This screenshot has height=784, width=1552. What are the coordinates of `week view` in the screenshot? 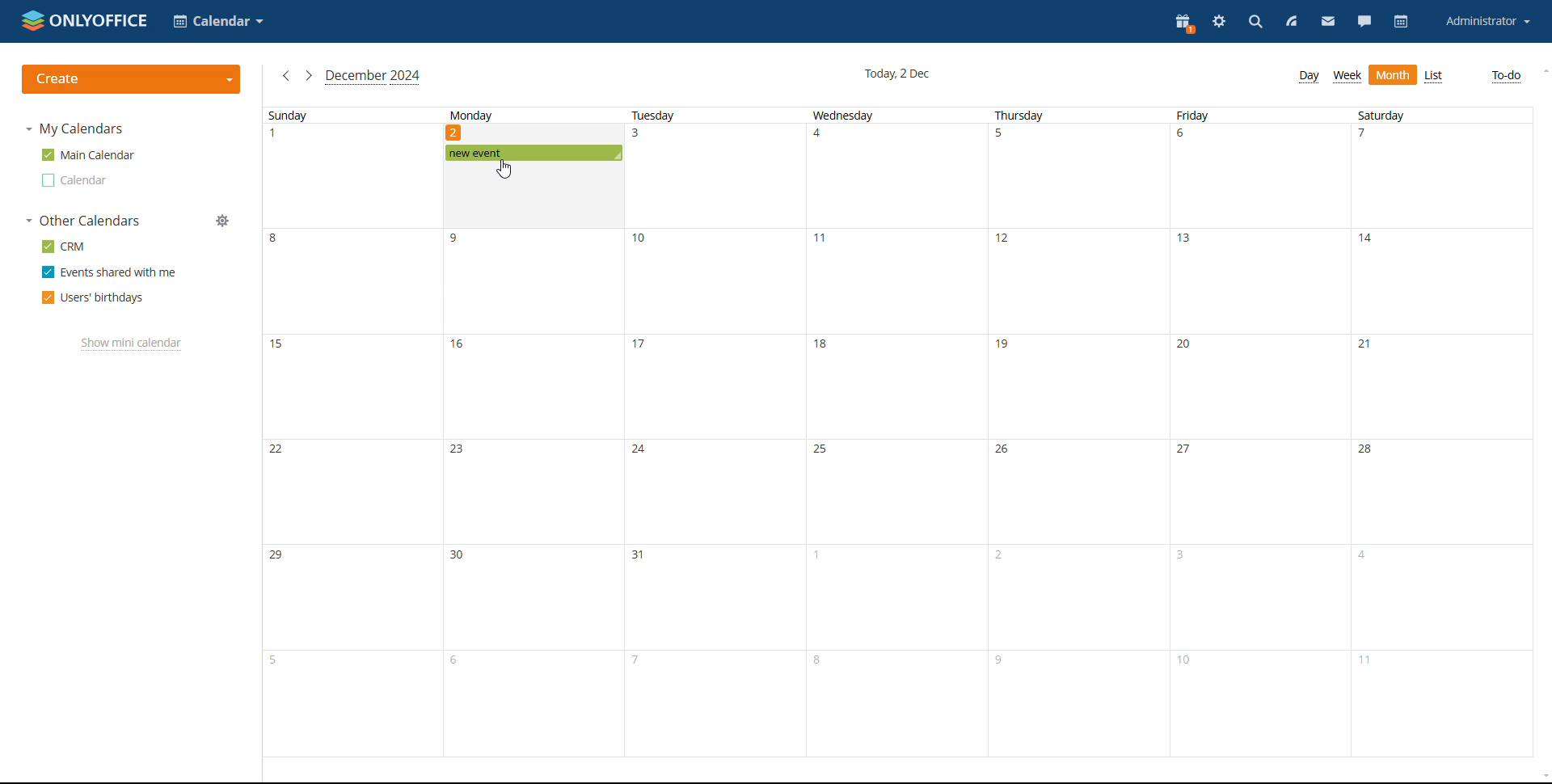 It's located at (1346, 76).